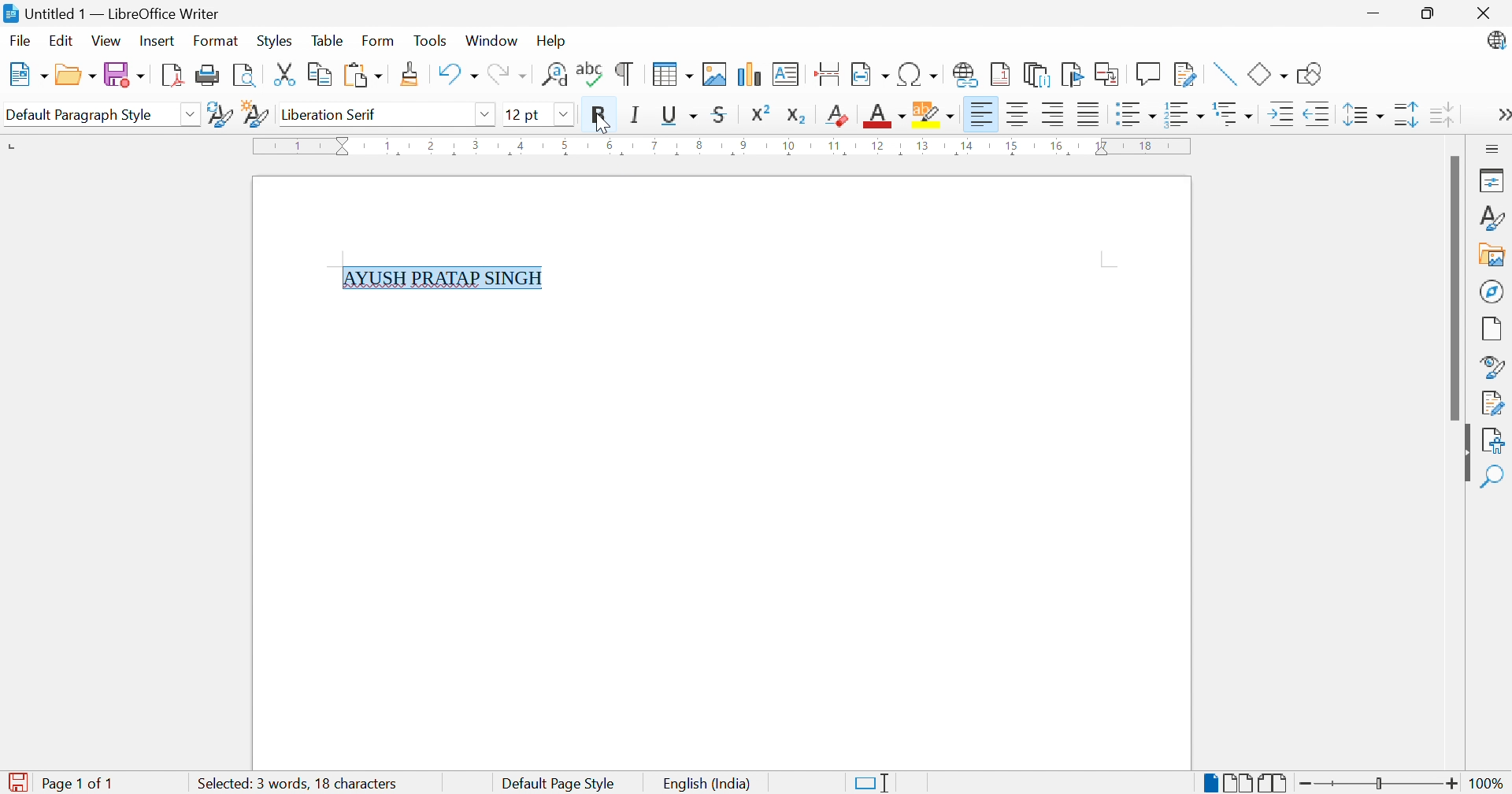  What do you see at coordinates (1183, 74) in the screenshot?
I see `Show Track Changes Functions` at bounding box center [1183, 74].